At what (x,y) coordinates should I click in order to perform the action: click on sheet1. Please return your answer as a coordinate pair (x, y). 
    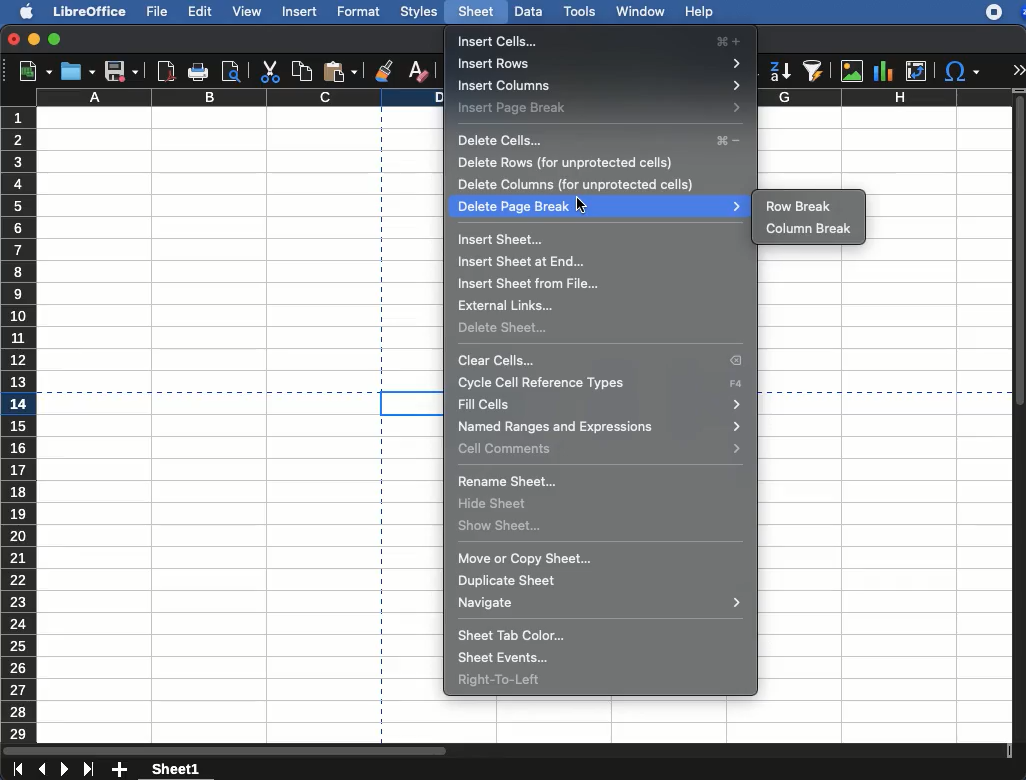
    Looking at the image, I should click on (177, 768).